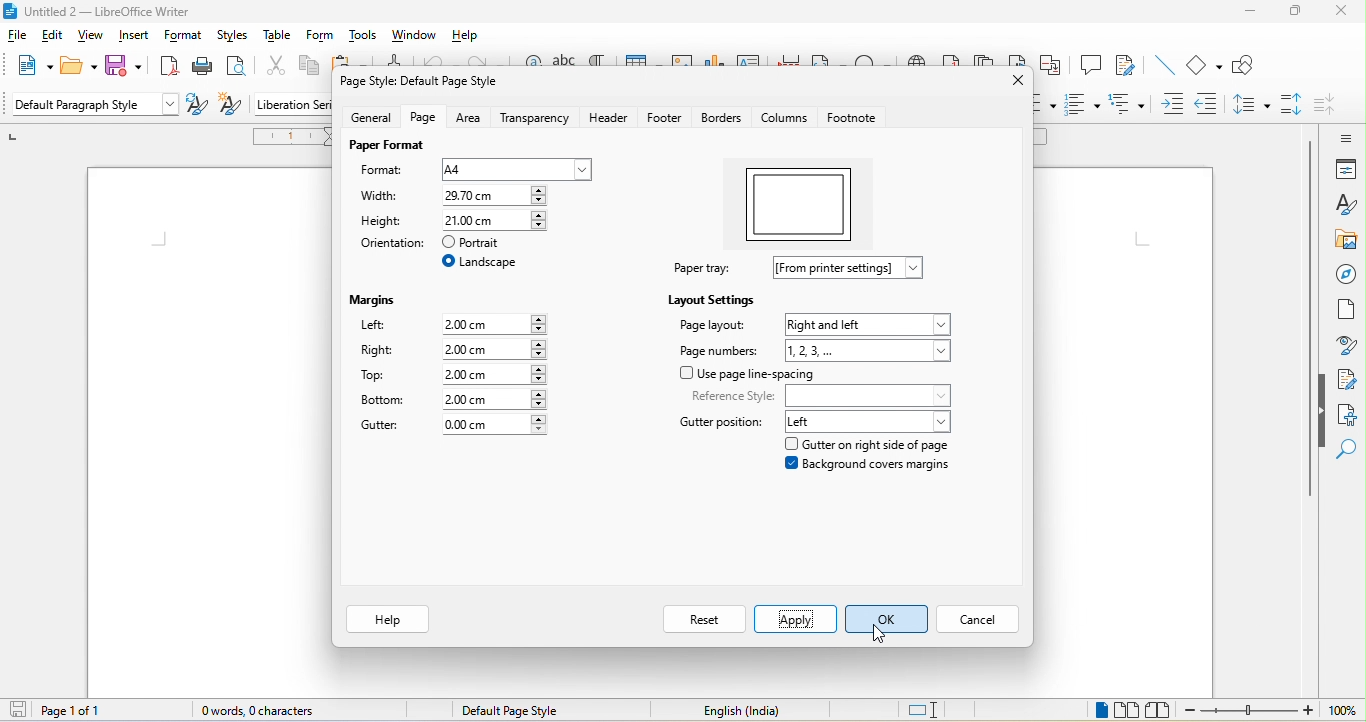 The width and height of the screenshot is (1366, 722). I want to click on single page view, so click(1096, 710).